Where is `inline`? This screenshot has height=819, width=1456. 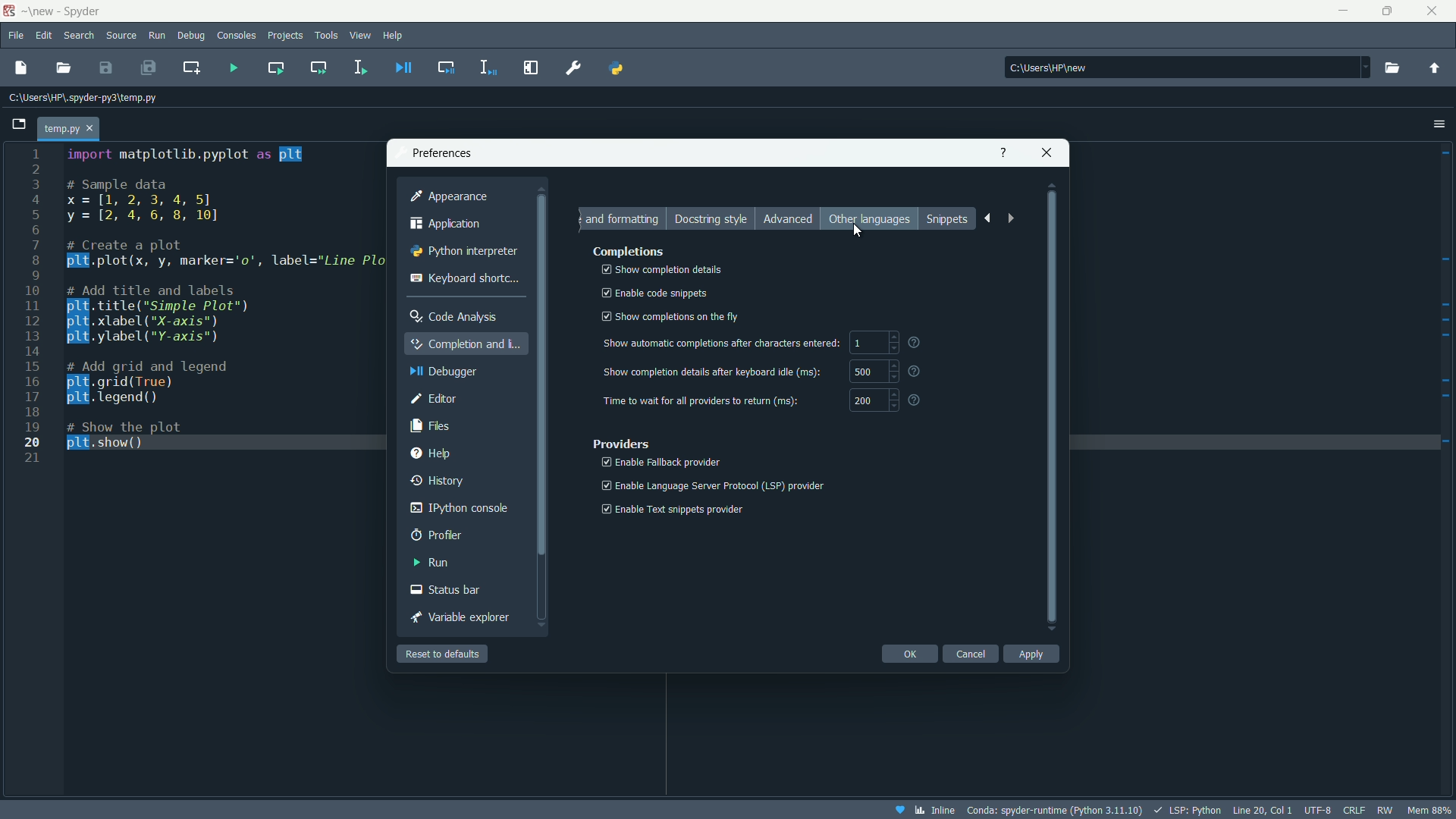
inline is located at coordinates (927, 810).